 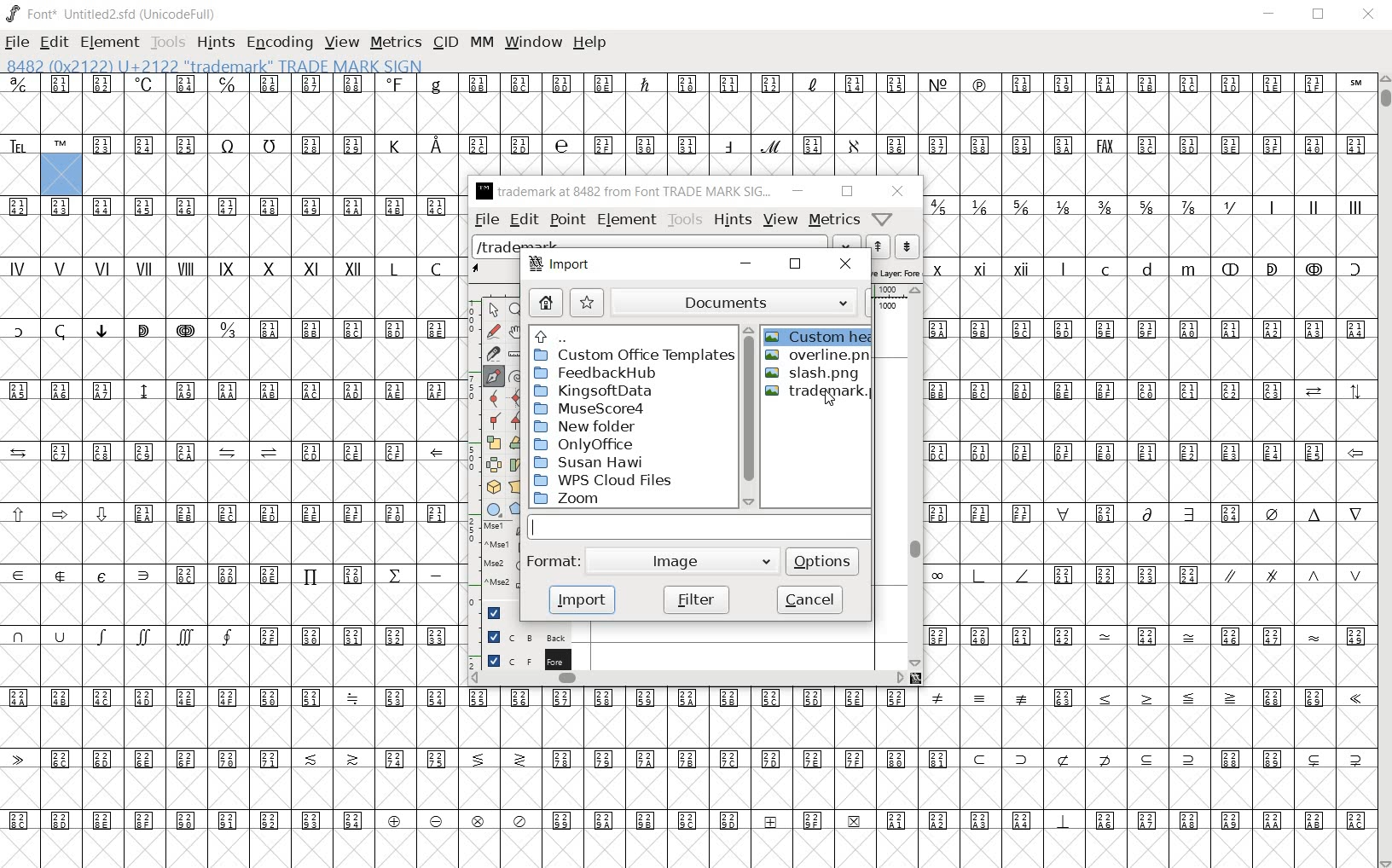 I want to click on change whether spiro is active or not, so click(x=515, y=376).